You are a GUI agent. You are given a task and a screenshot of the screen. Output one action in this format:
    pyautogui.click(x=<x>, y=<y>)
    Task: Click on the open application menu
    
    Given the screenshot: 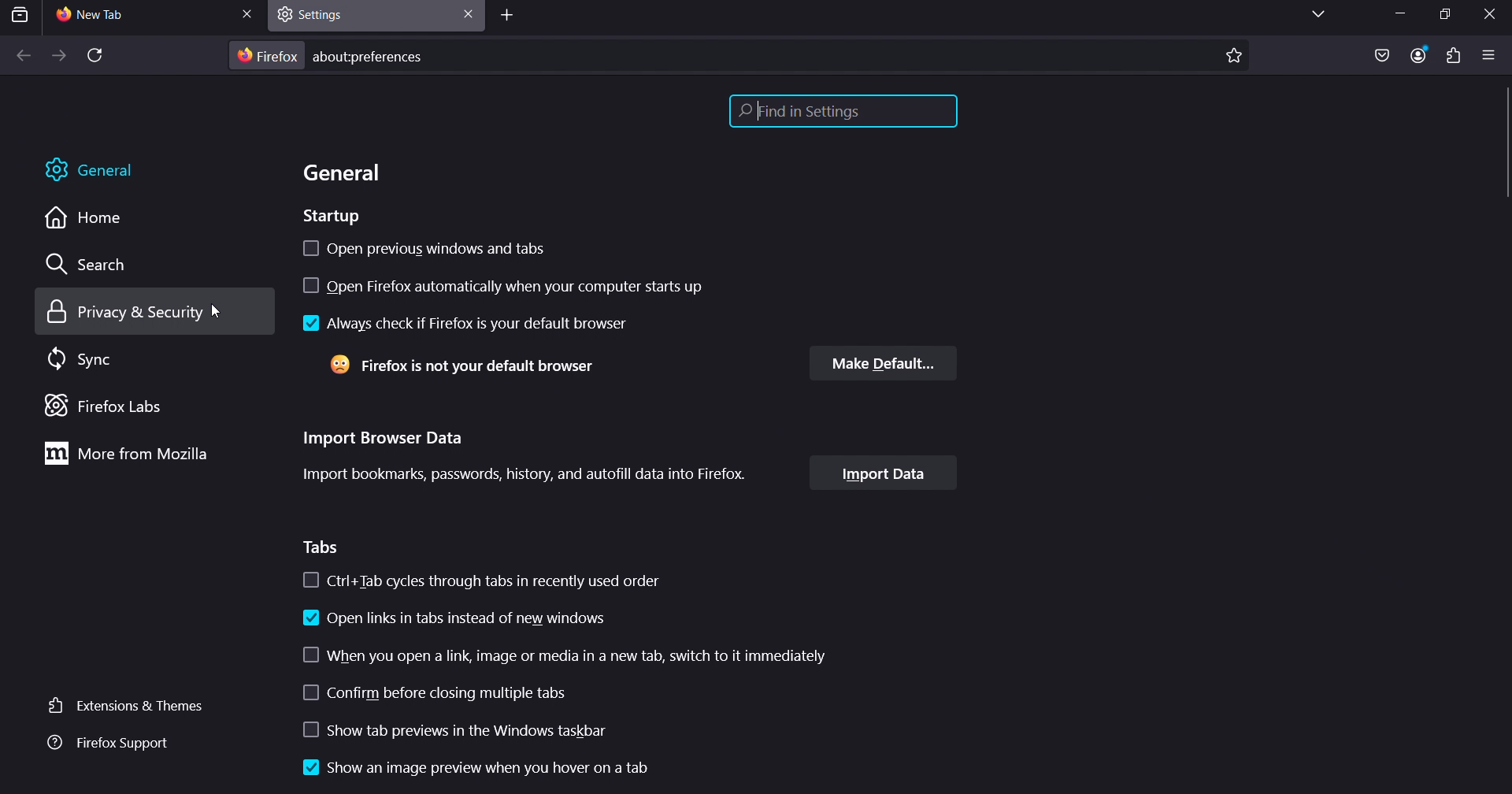 What is the action you would take?
    pyautogui.click(x=1489, y=55)
    